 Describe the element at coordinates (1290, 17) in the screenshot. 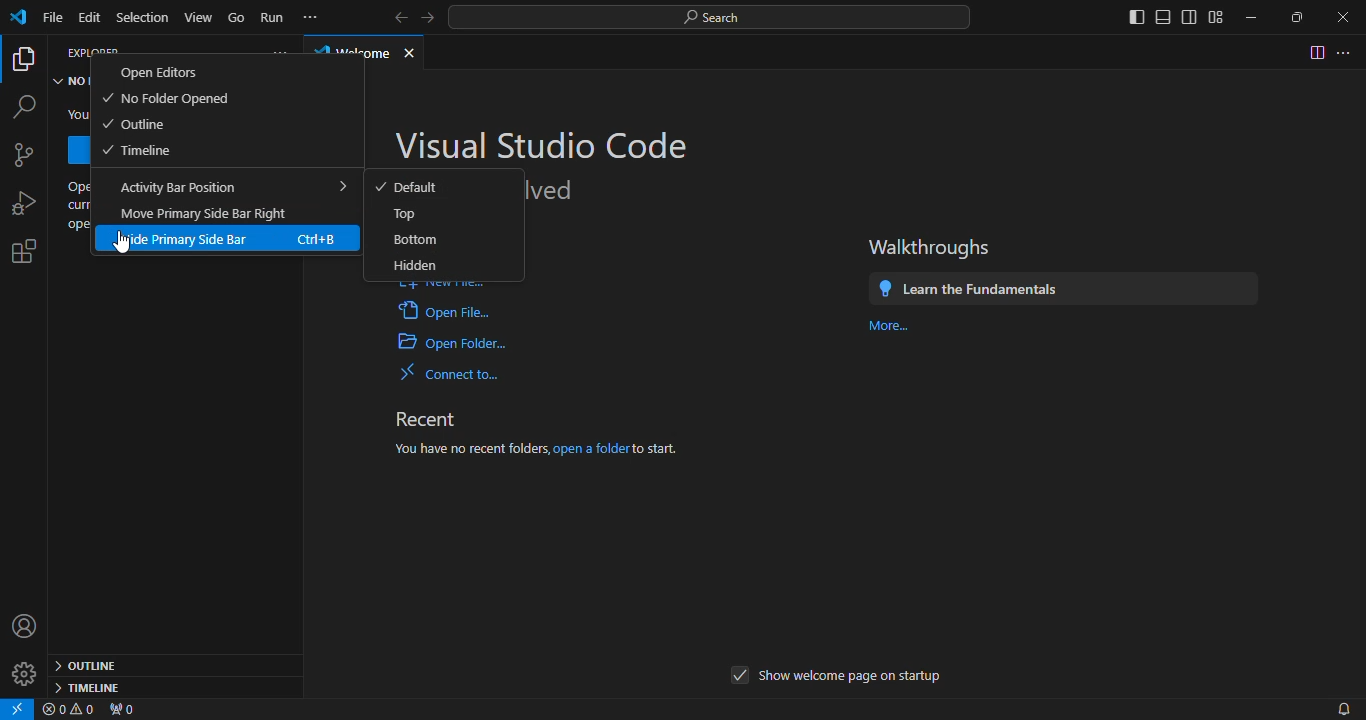

I see `restore down` at that location.